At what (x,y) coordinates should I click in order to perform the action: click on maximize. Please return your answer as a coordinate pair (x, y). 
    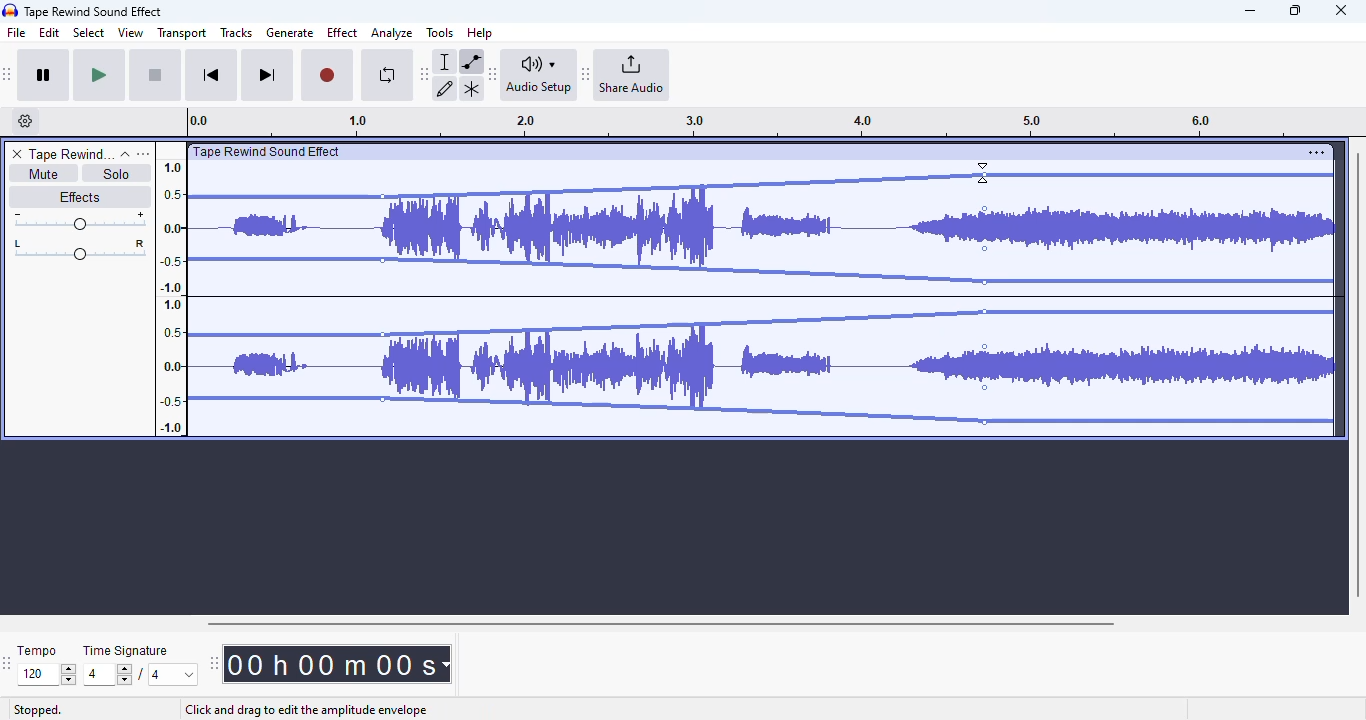
    Looking at the image, I should click on (1295, 10).